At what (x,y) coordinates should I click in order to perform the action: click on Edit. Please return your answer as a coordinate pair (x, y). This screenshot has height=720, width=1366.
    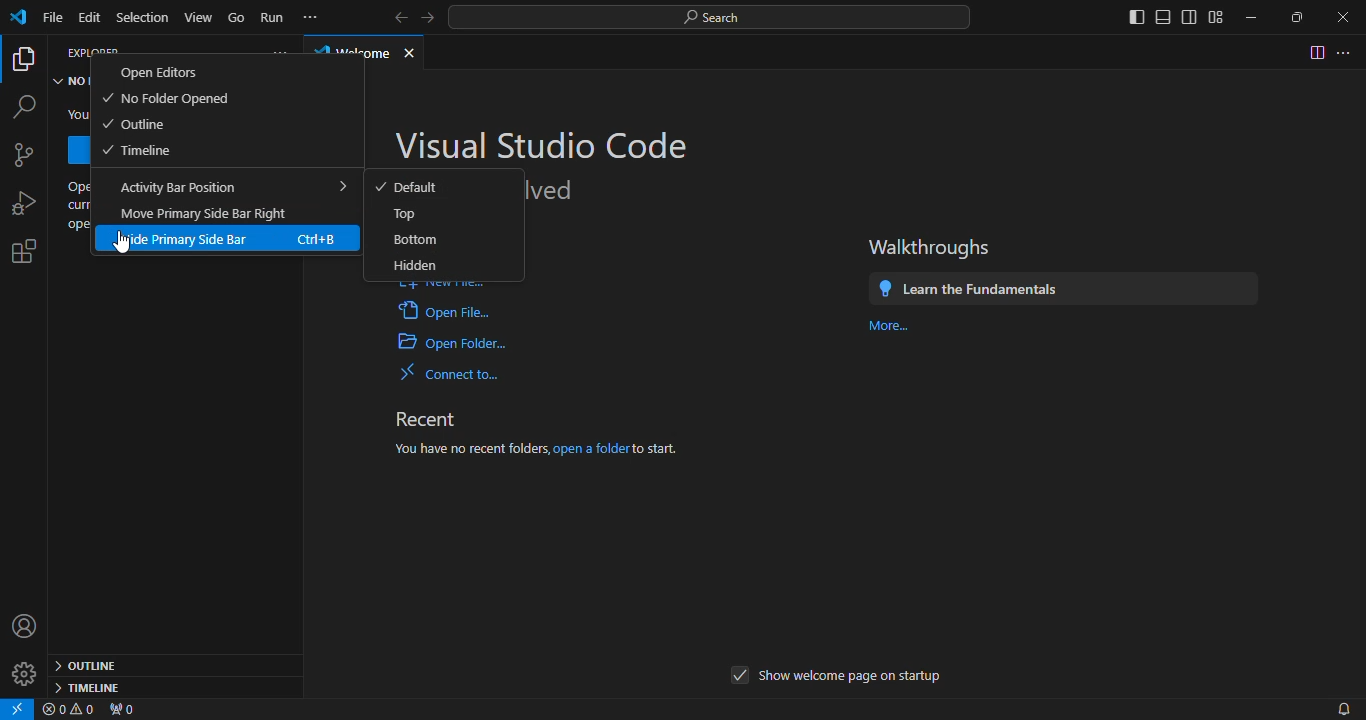
    Looking at the image, I should click on (92, 17).